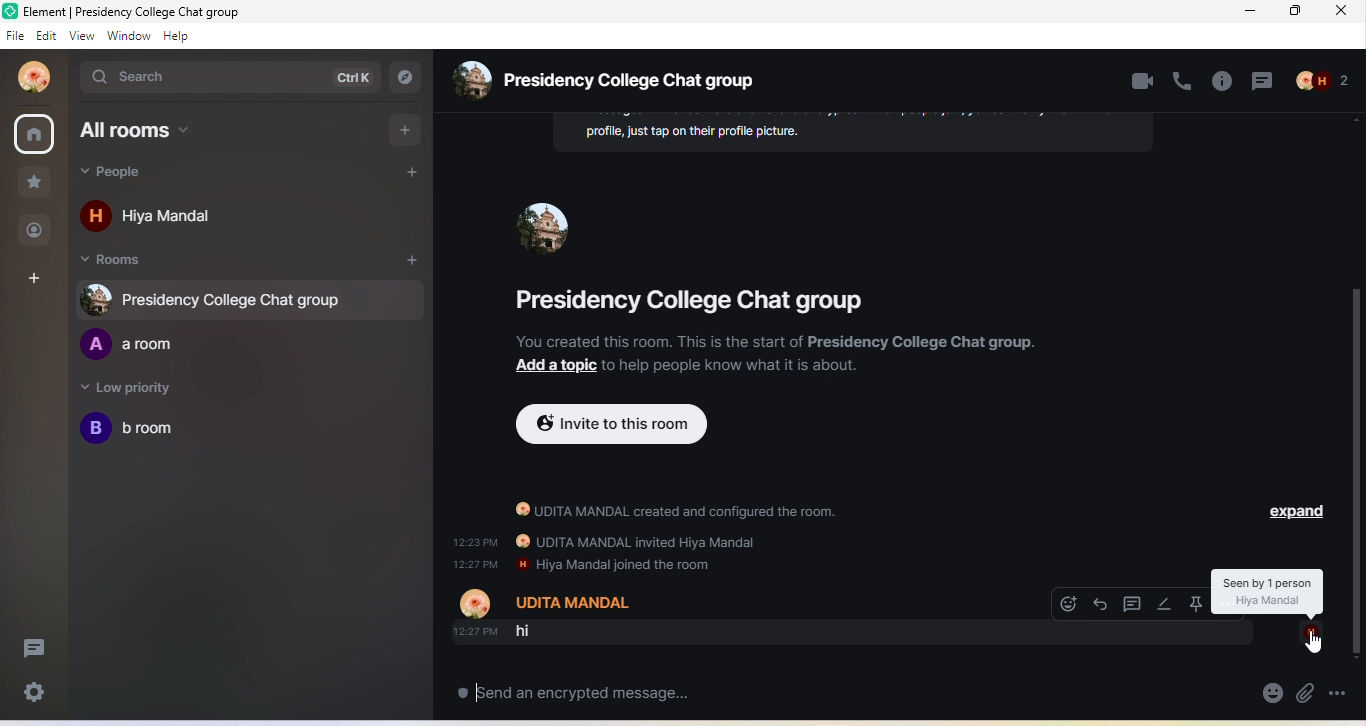  I want to click on window, so click(129, 36).